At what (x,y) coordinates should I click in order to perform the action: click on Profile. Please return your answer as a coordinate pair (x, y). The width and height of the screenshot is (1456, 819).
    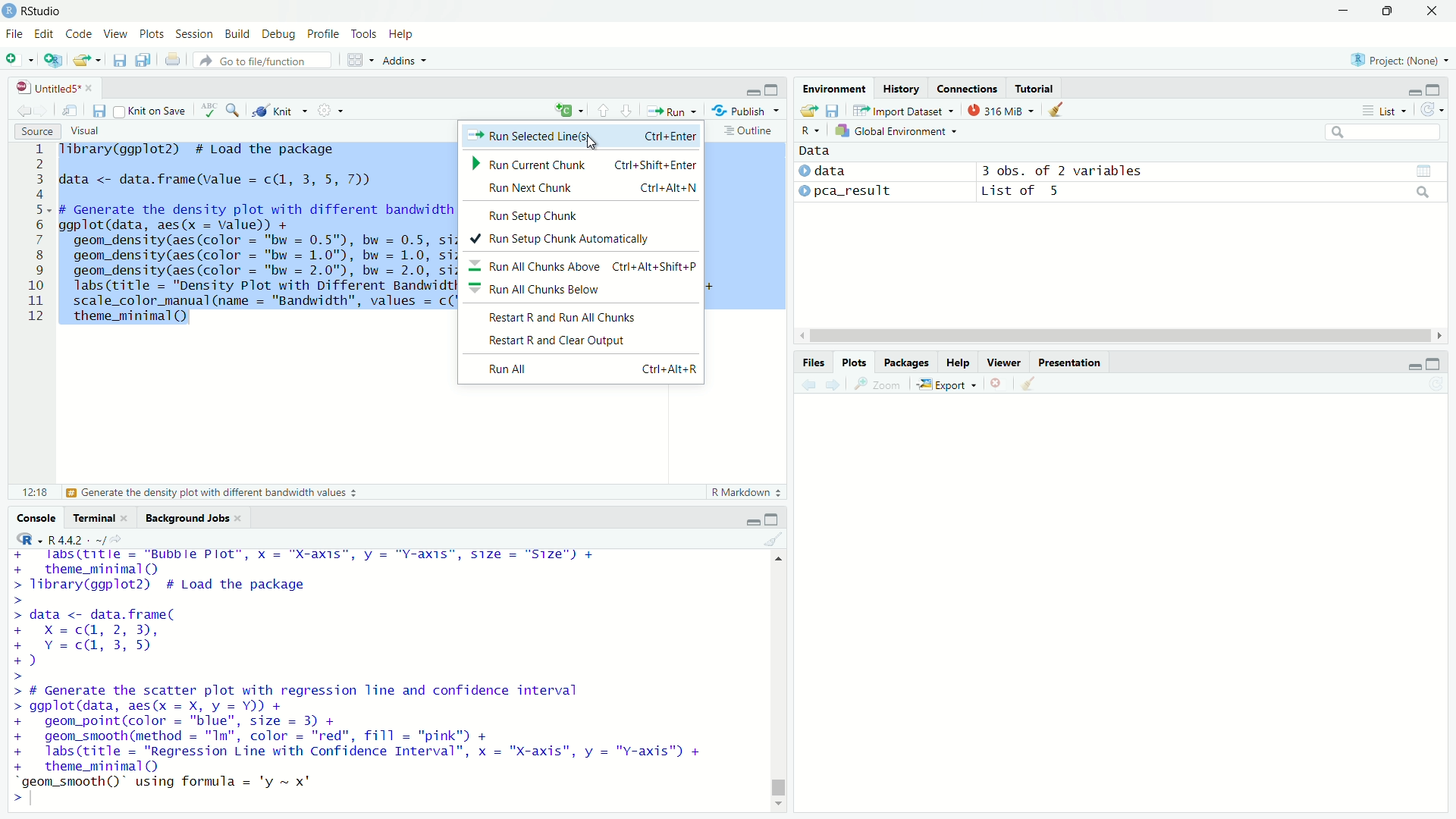
    Looking at the image, I should click on (323, 33).